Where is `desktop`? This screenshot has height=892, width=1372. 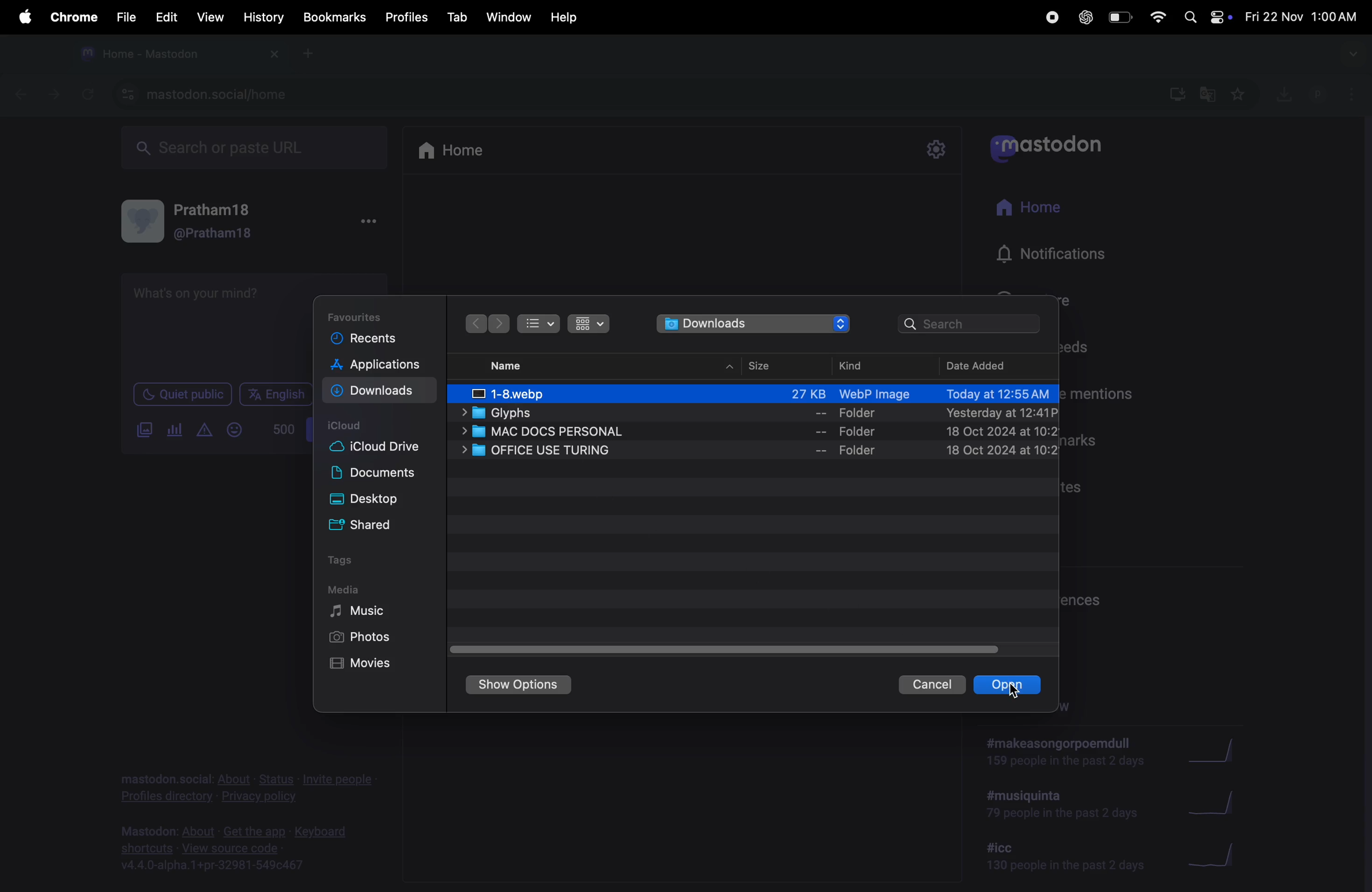 desktop is located at coordinates (371, 500).